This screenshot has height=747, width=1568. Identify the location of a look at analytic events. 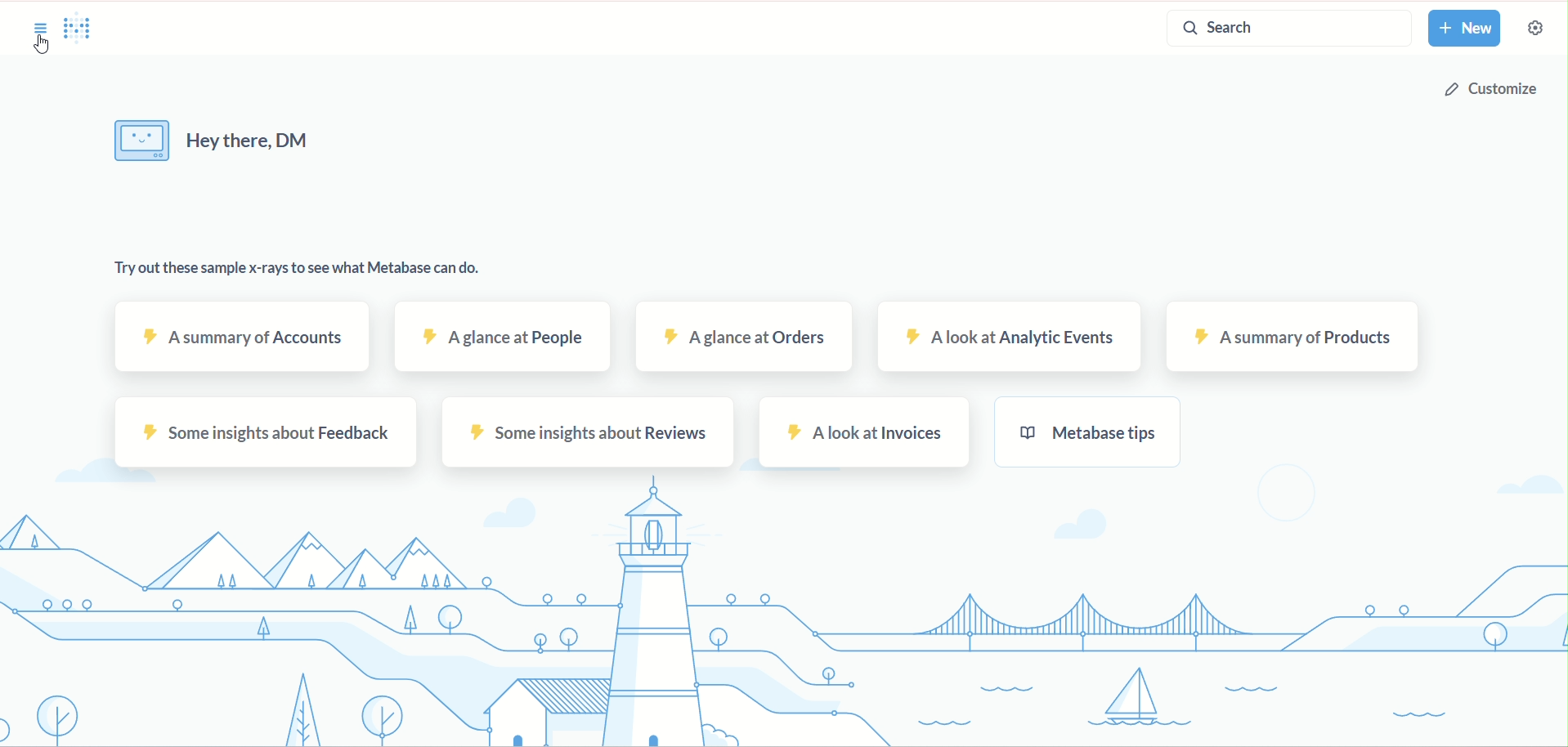
(1013, 337).